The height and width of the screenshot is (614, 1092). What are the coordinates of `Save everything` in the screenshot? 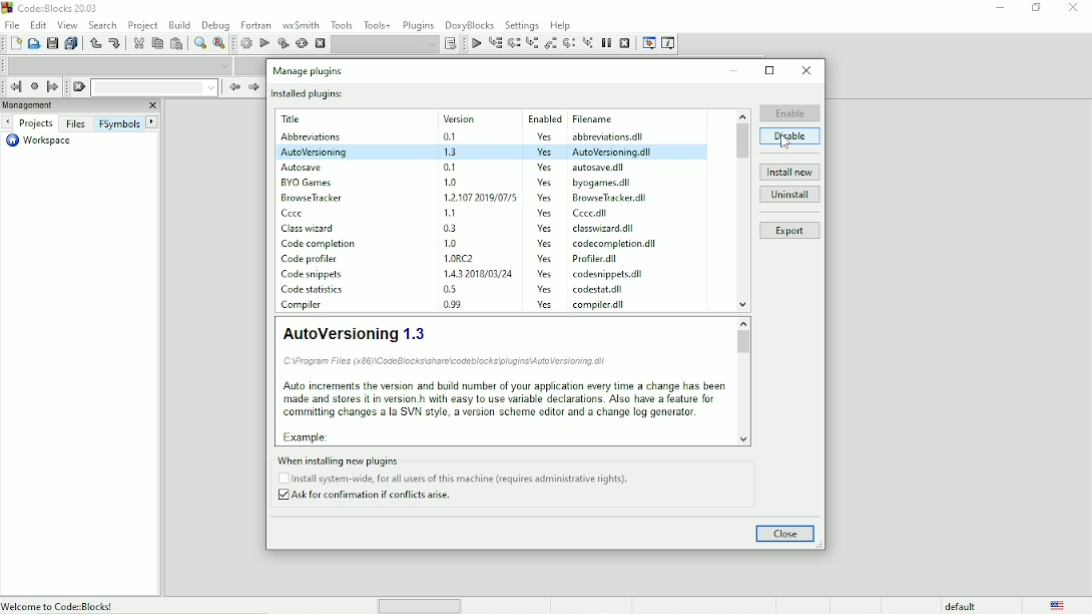 It's located at (72, 44).